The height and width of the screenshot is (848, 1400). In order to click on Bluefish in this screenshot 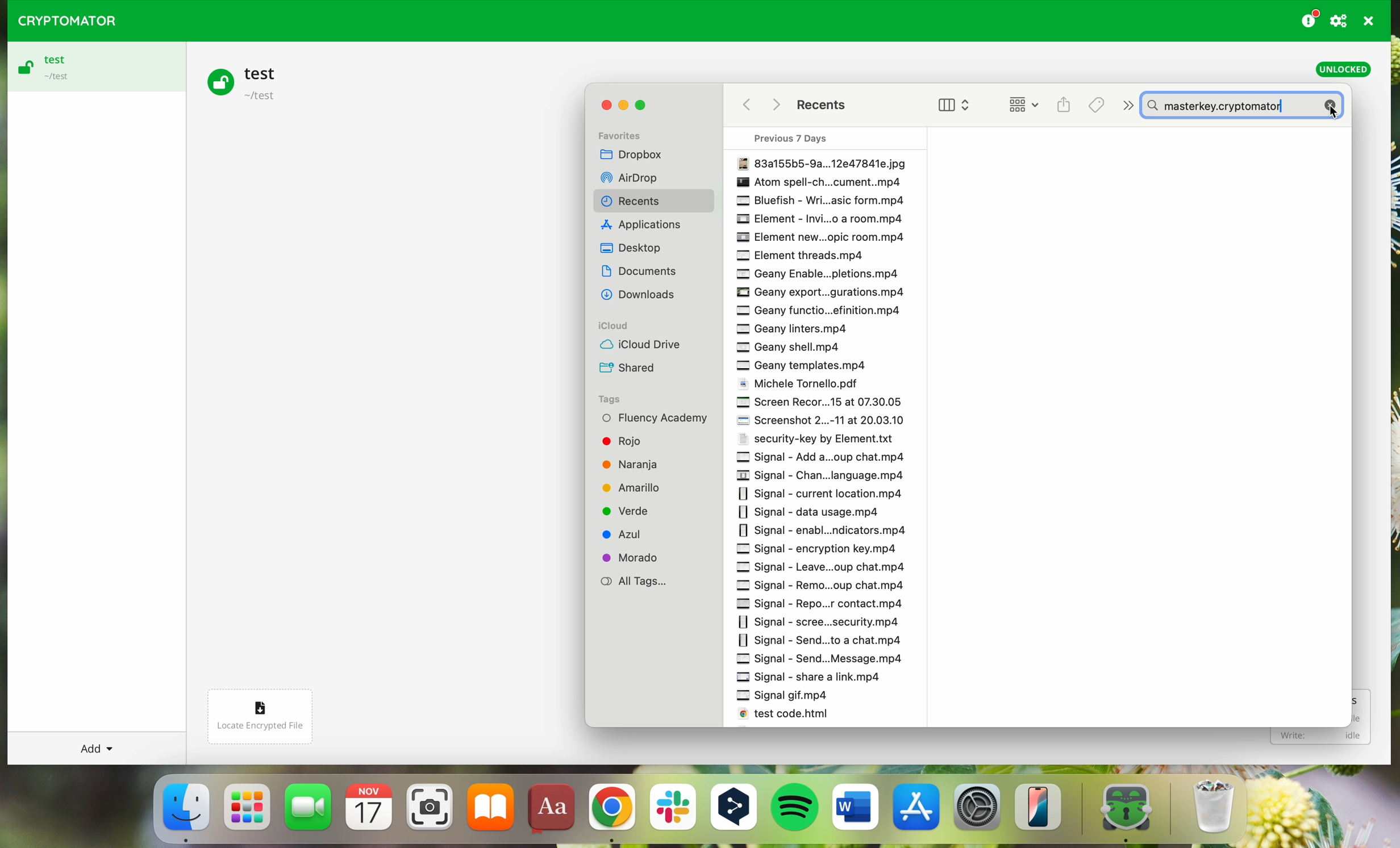, I will do `click(814, 200)`.